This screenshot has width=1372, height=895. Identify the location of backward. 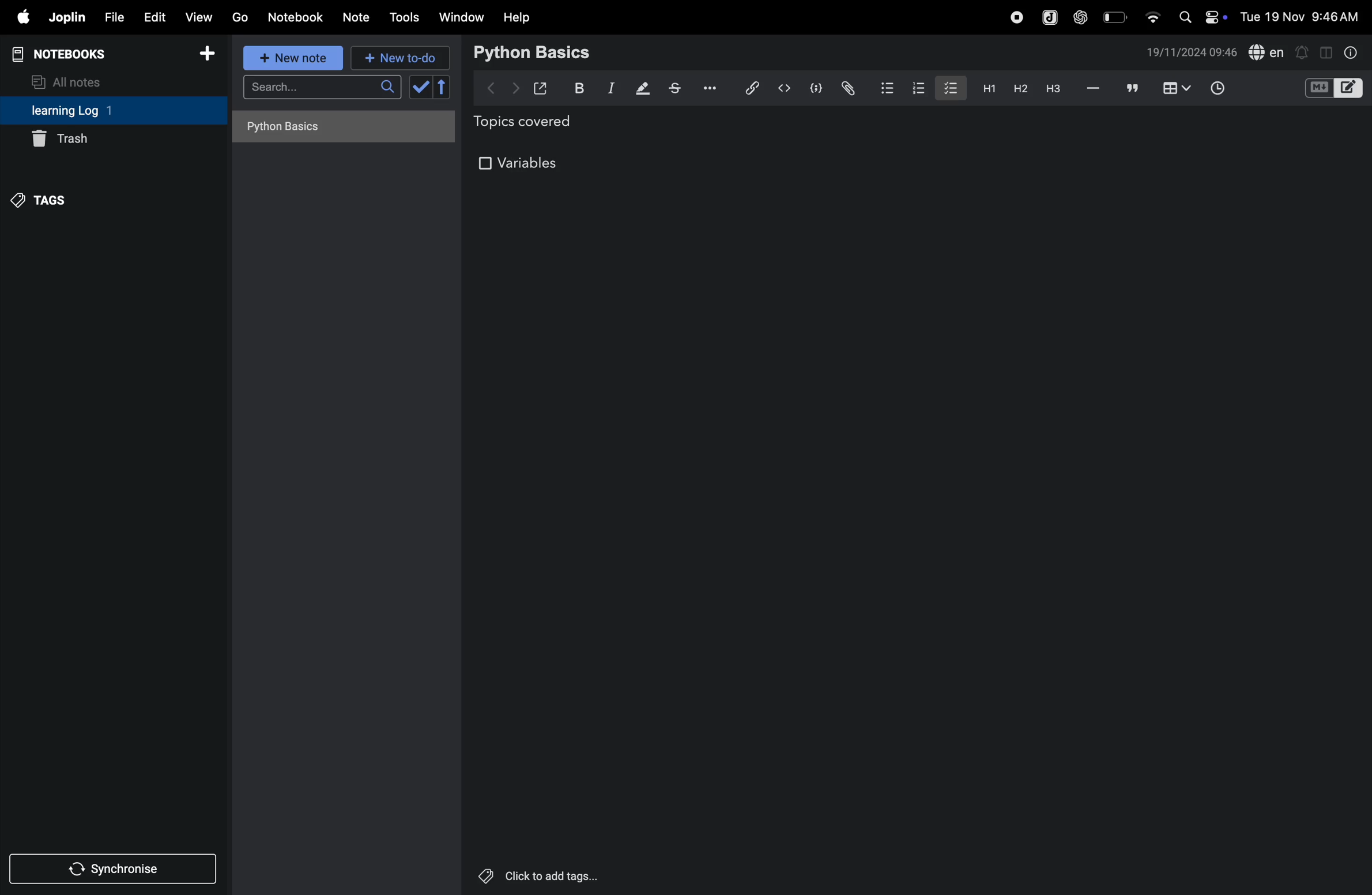
(492, 87).